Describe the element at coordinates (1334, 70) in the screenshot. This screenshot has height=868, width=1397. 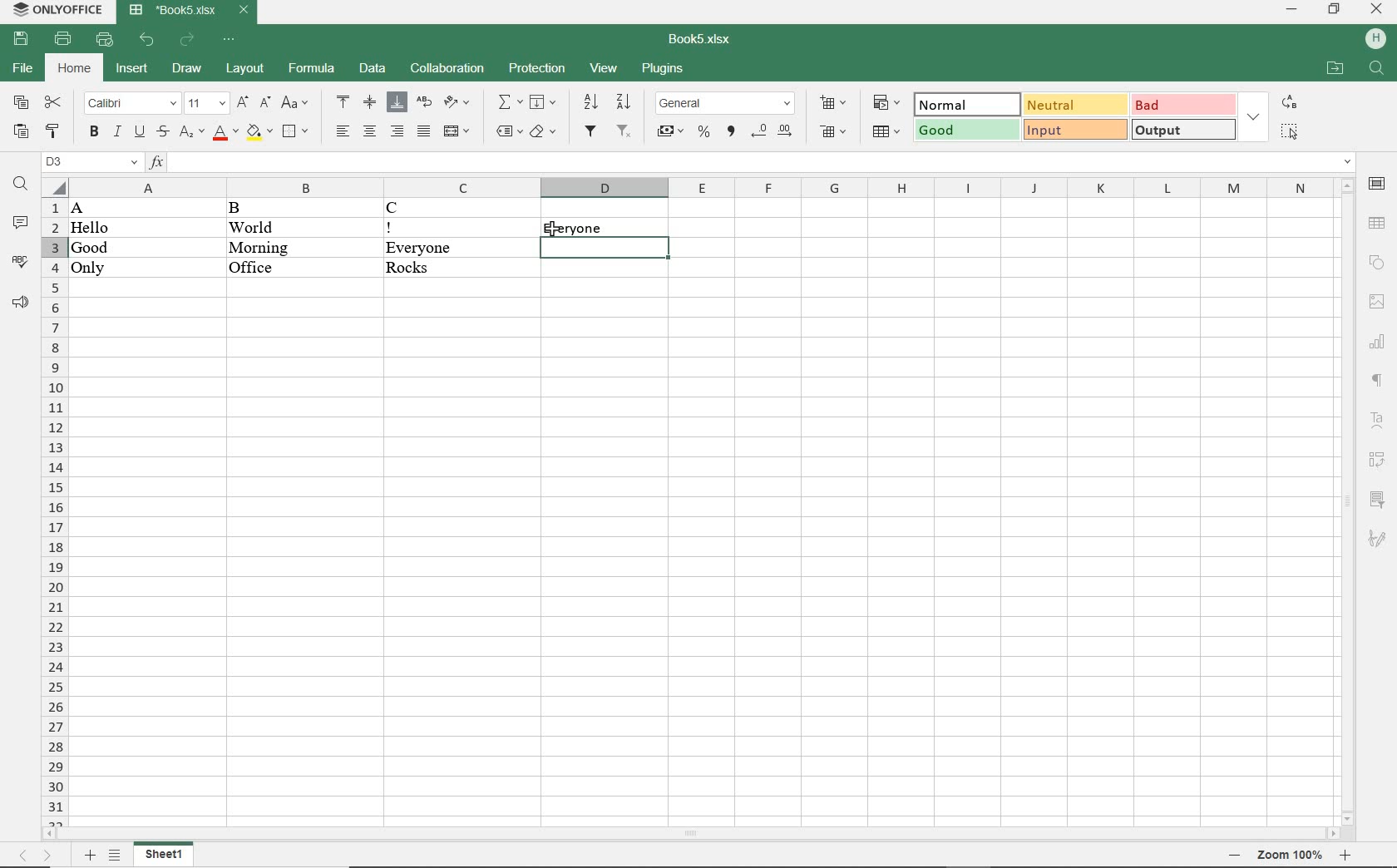
I see `open file location` at that location.